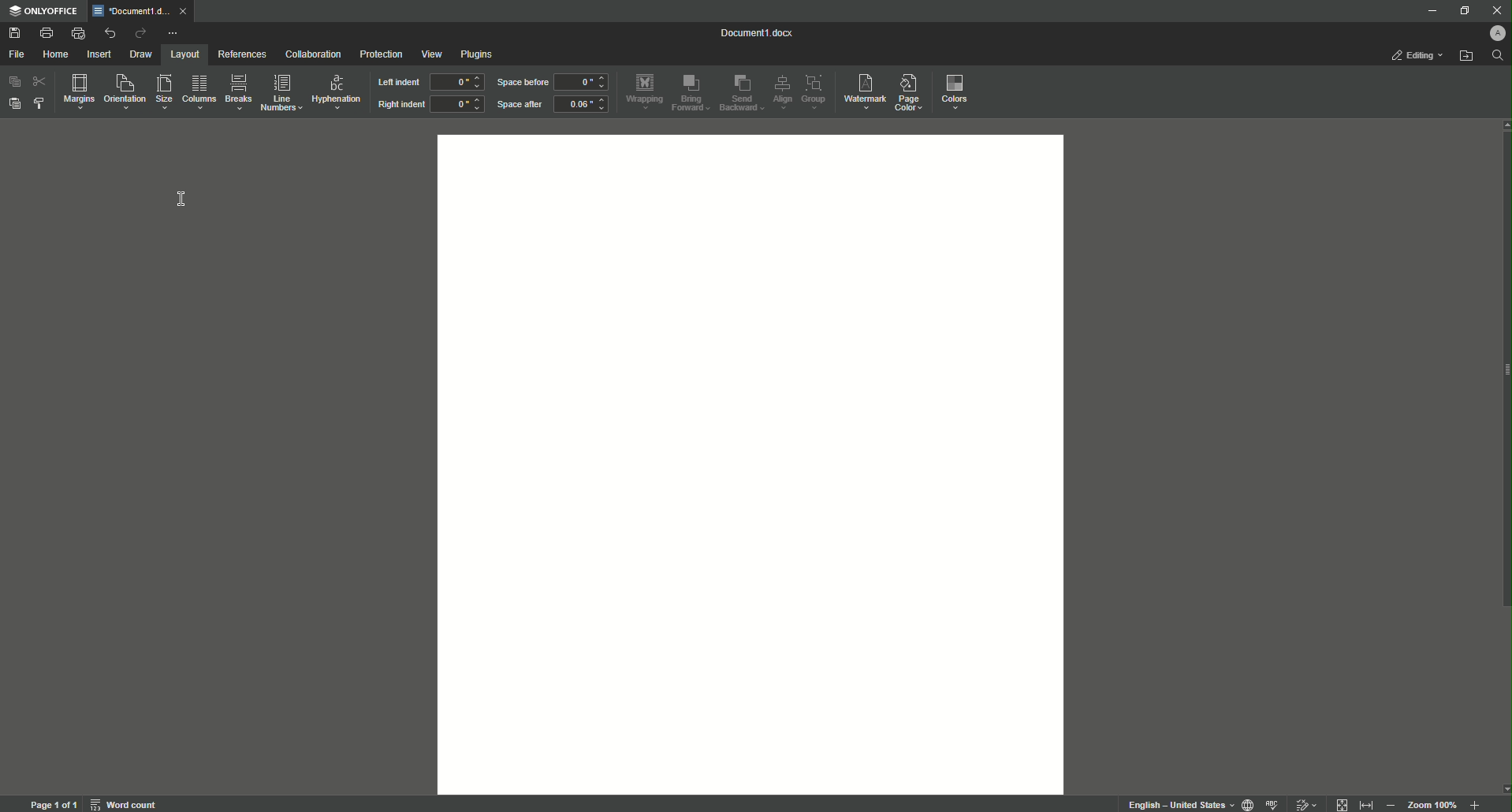  Describe the element at coordinates (644, 90) in the screenshot. I see `Wrapping` at that location.